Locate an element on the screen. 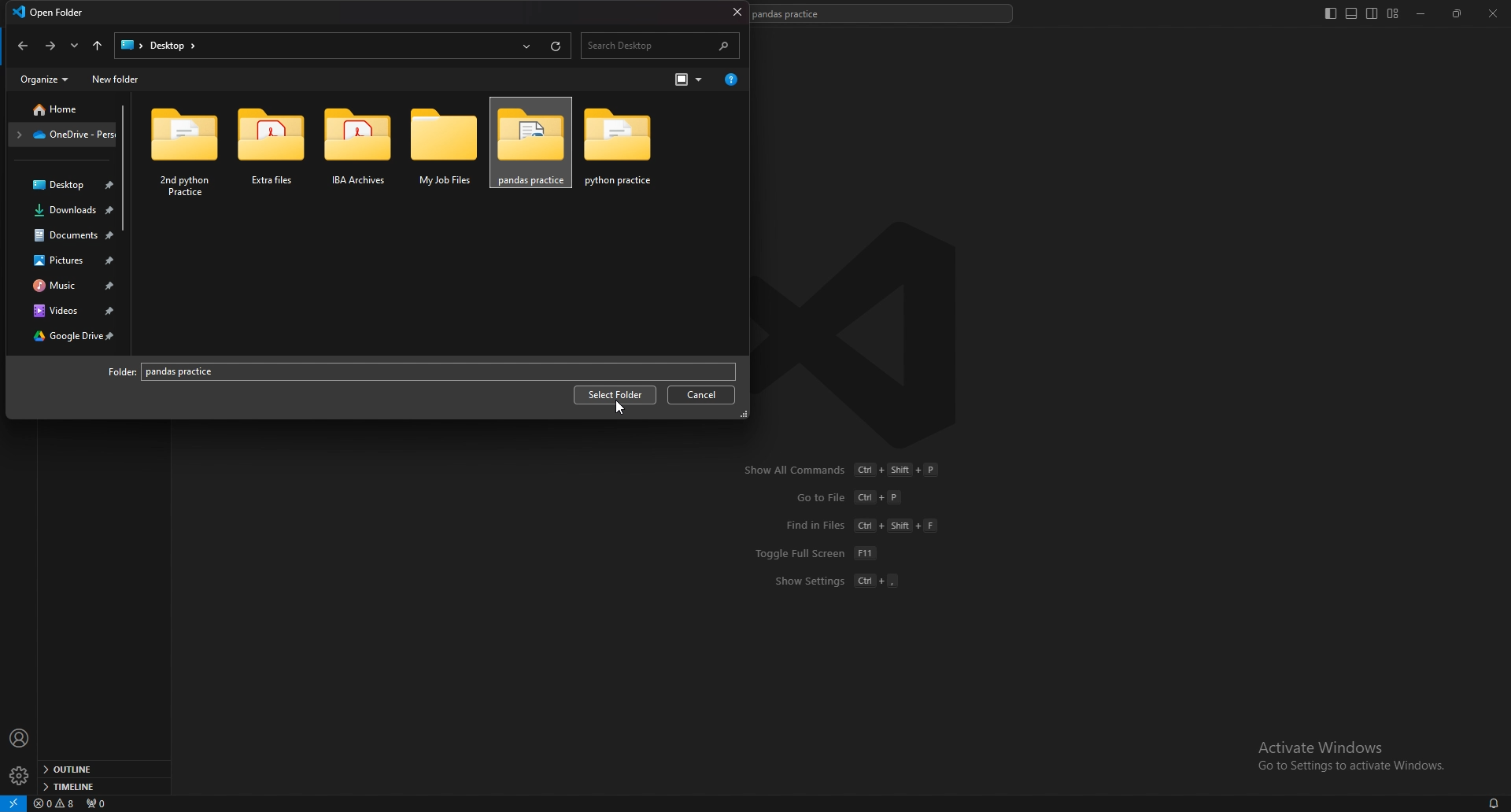  extra files is located at coordinates (261, 154).